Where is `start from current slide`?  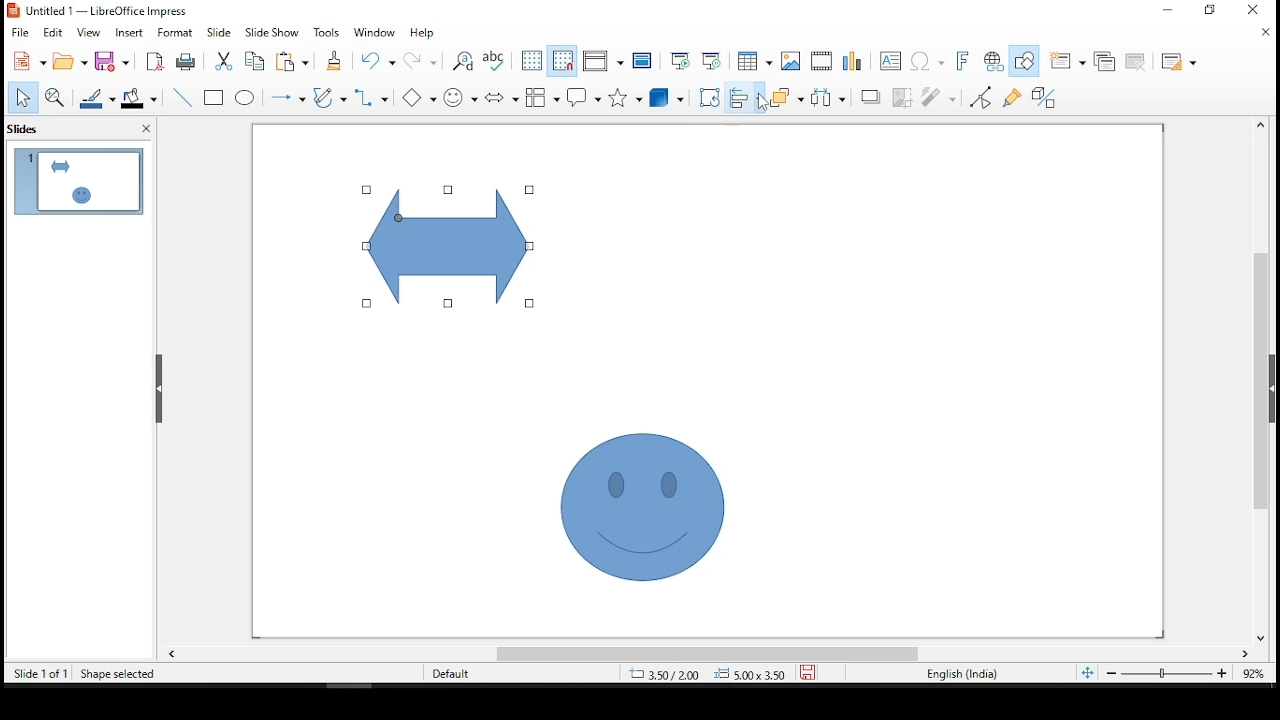 start from current slide is located at coordinates (708, 62).